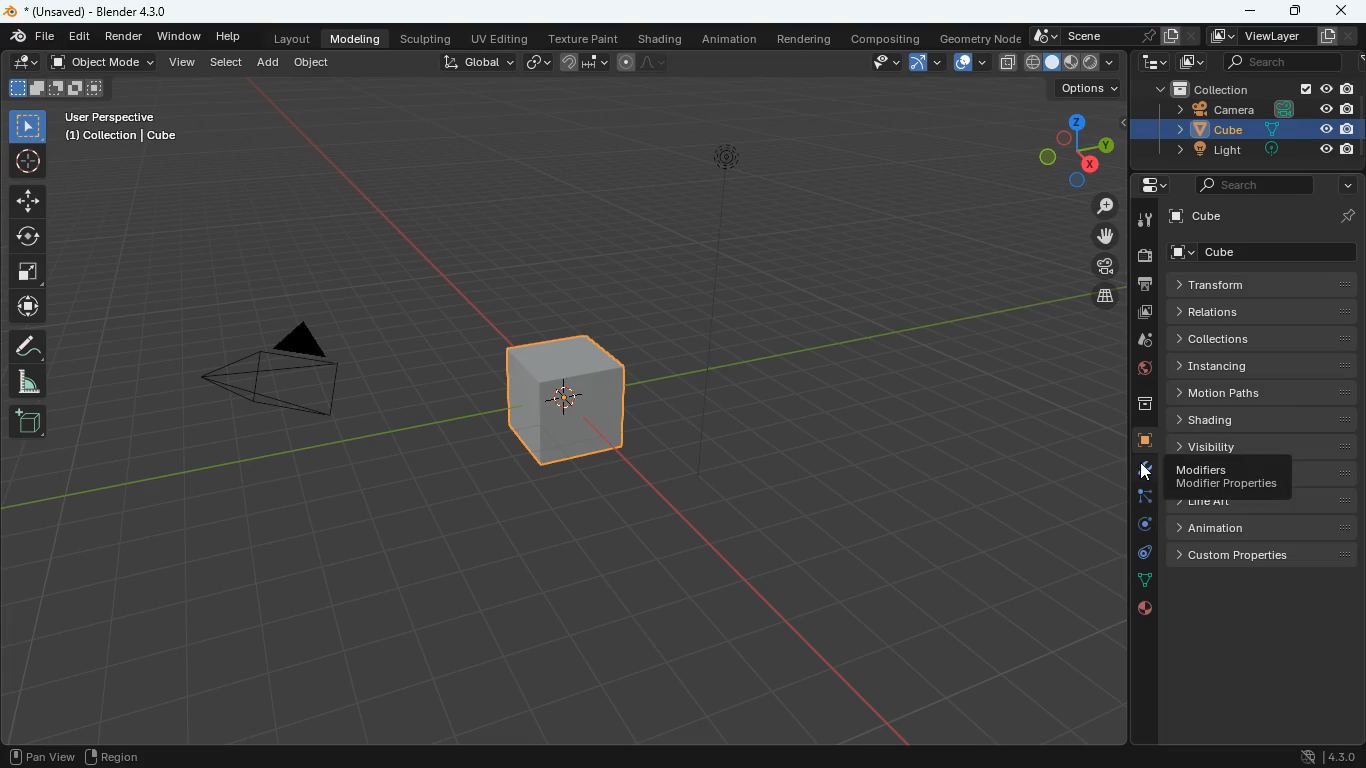  I want to click on draw, so click(25, 347).